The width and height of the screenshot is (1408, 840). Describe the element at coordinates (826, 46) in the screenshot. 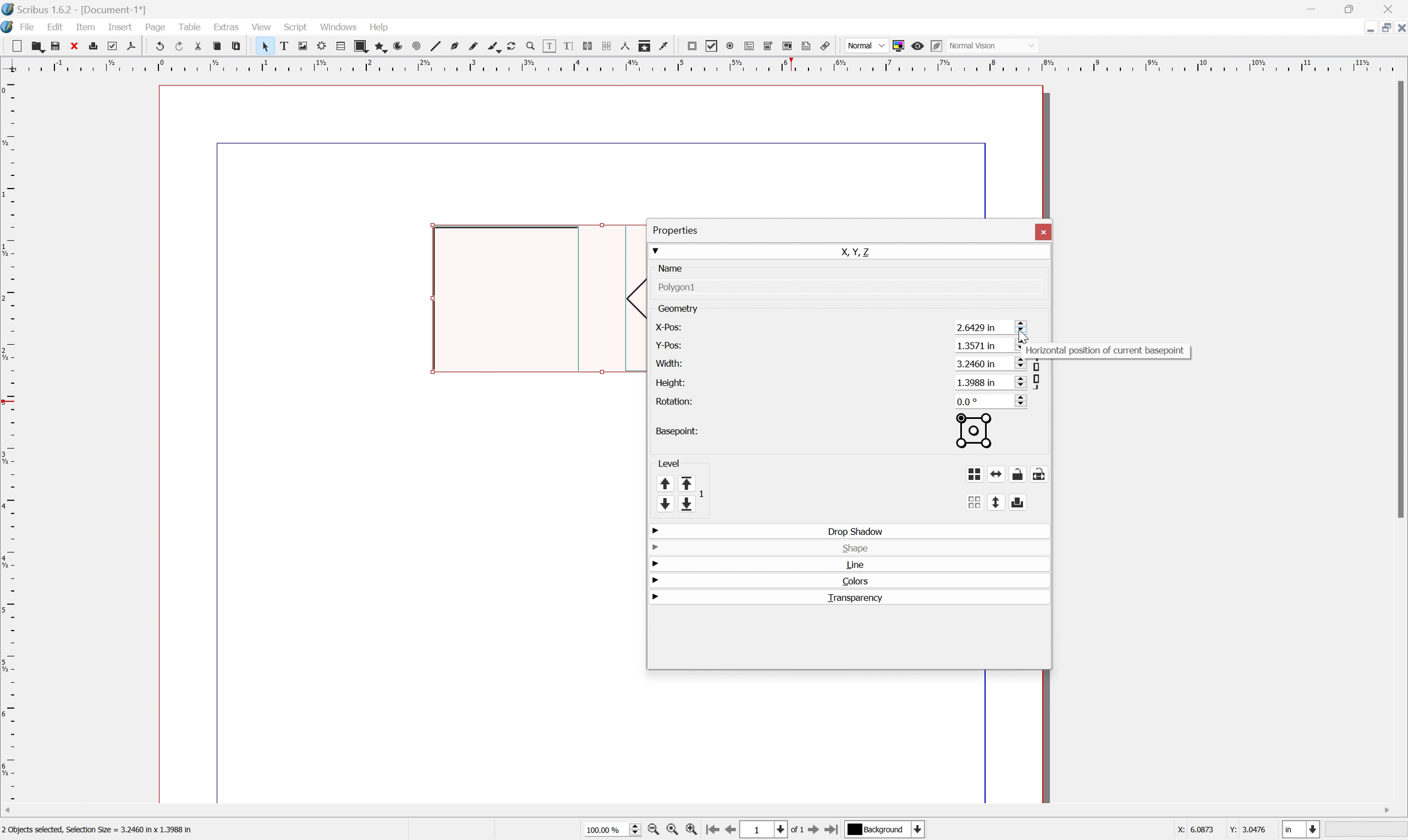

I see `Link annotation` at that location.